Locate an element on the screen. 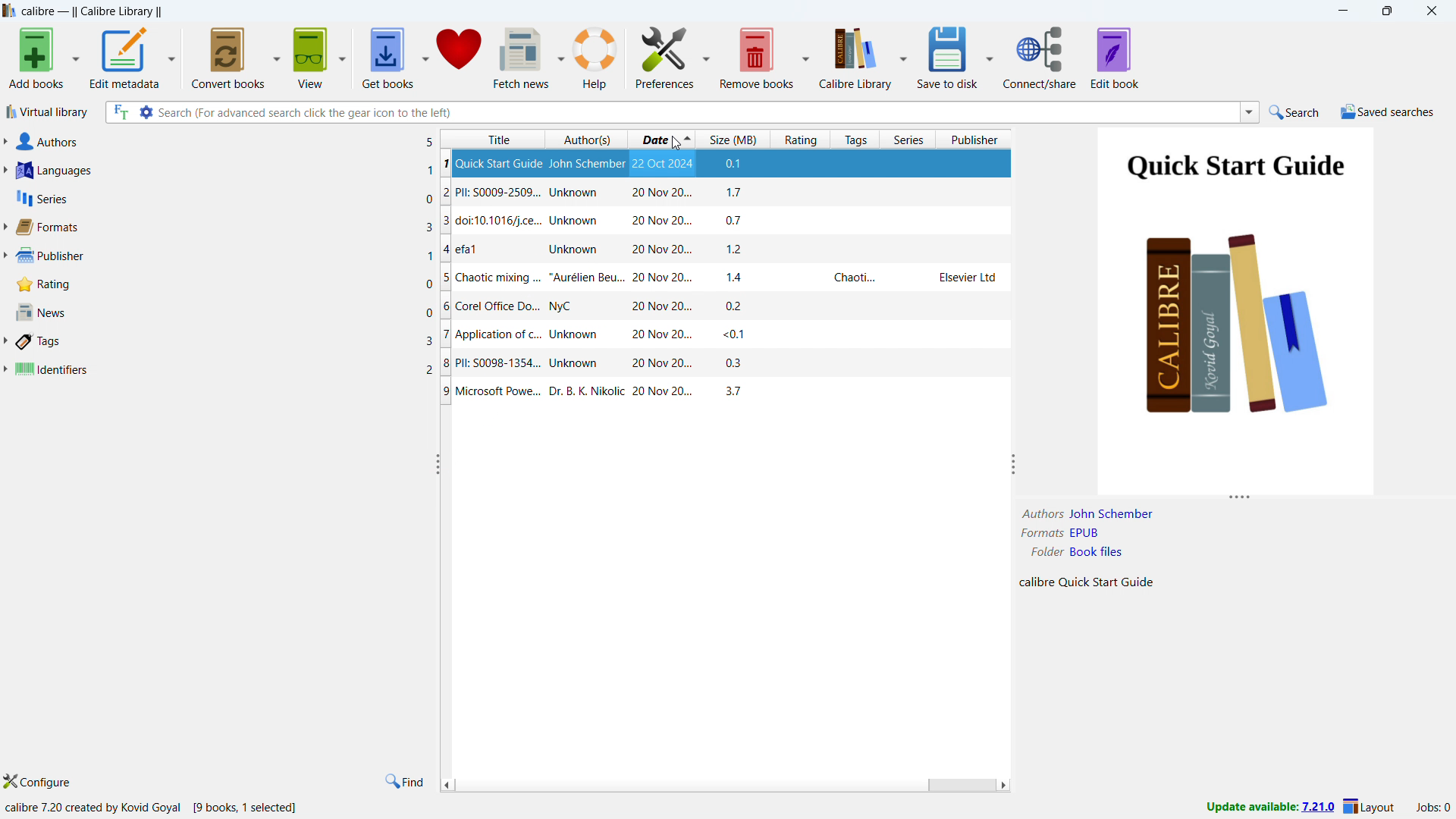 The image size is (1456, 819). layout is located at coordinates (1370, 806).